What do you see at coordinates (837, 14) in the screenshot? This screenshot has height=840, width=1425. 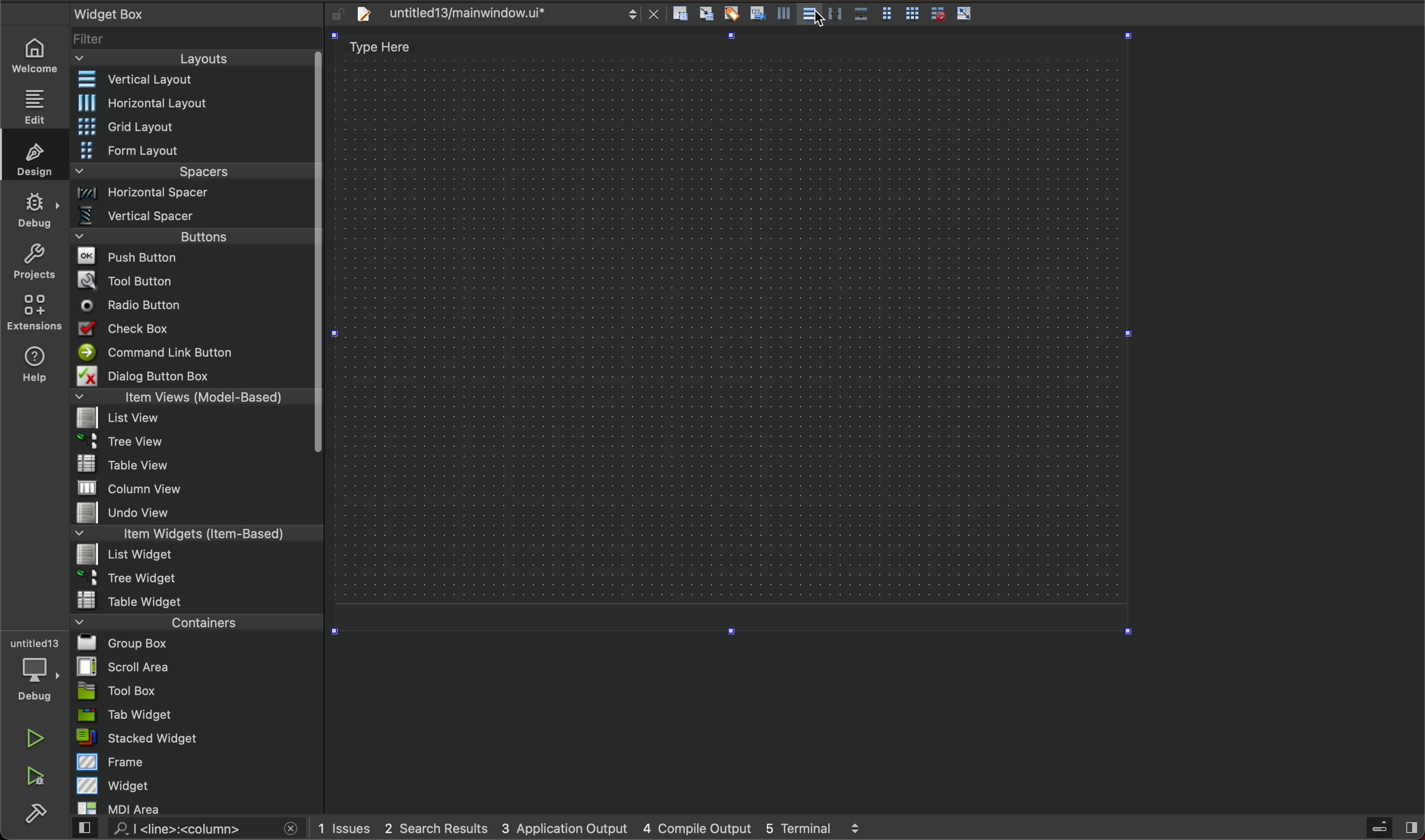 I see `vertical splitter` at bounding box center [837, 14].